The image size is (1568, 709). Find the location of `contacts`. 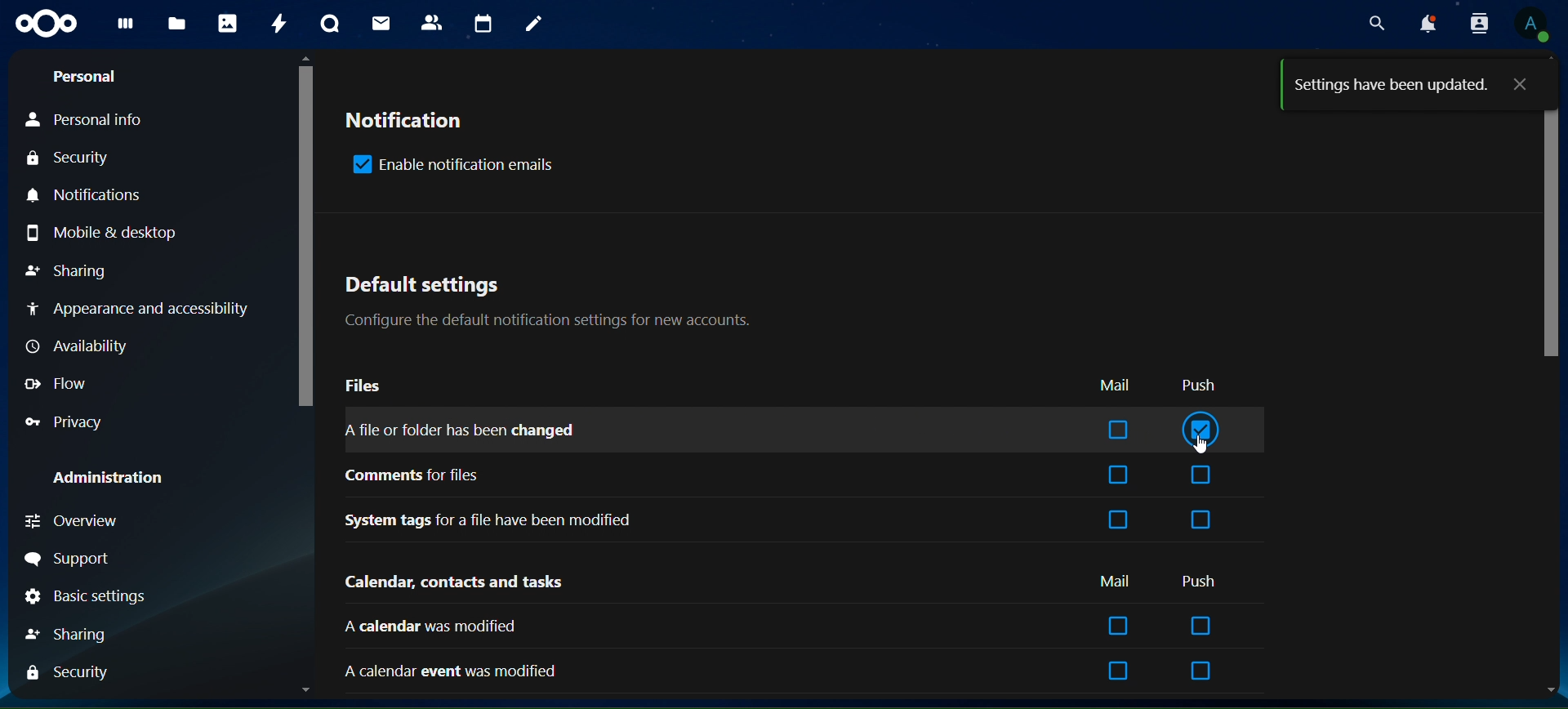

contacts is located at coordinates (432, 23).